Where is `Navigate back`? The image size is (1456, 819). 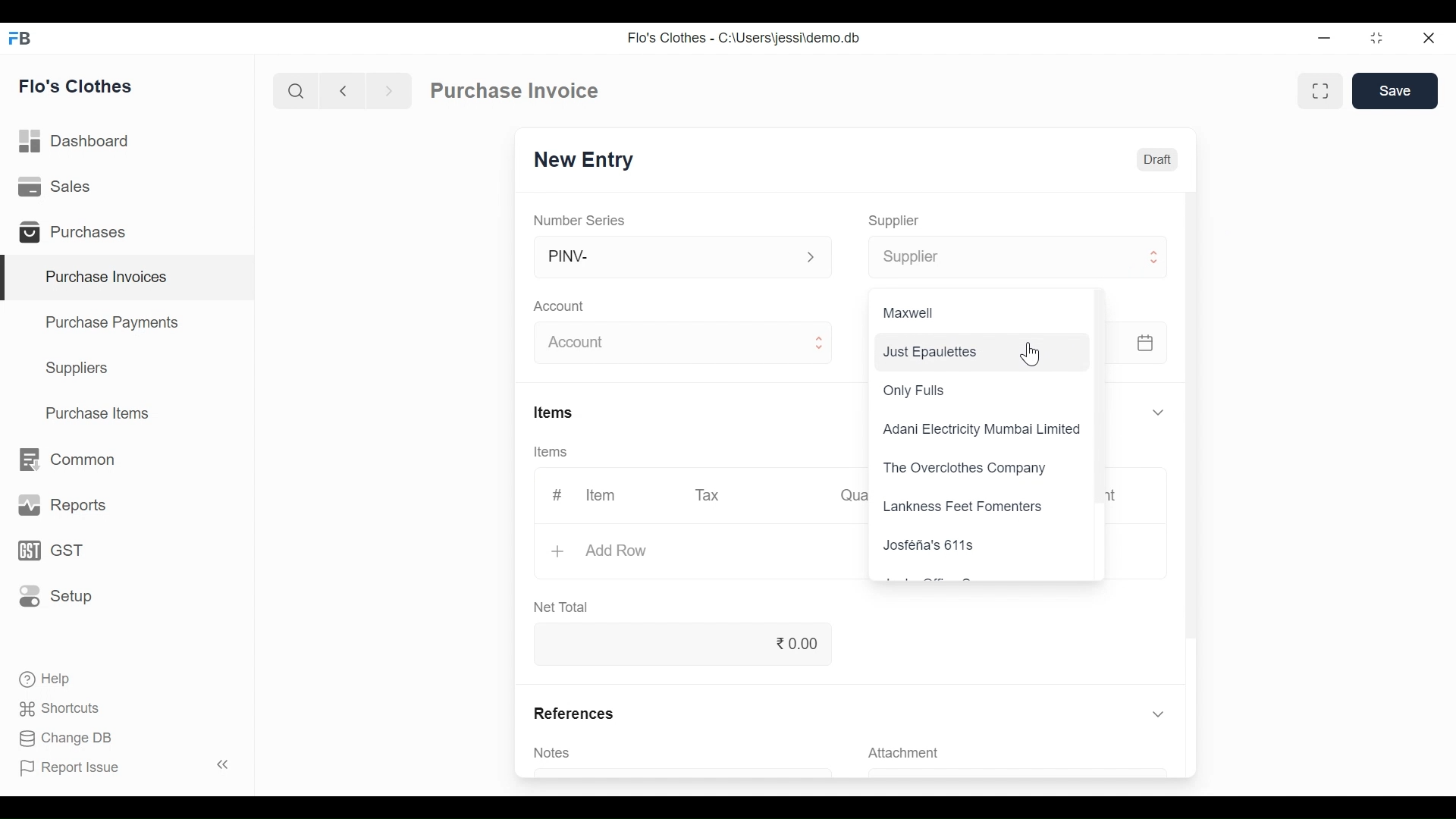 Navigate back is located at coordinates (340, 91).